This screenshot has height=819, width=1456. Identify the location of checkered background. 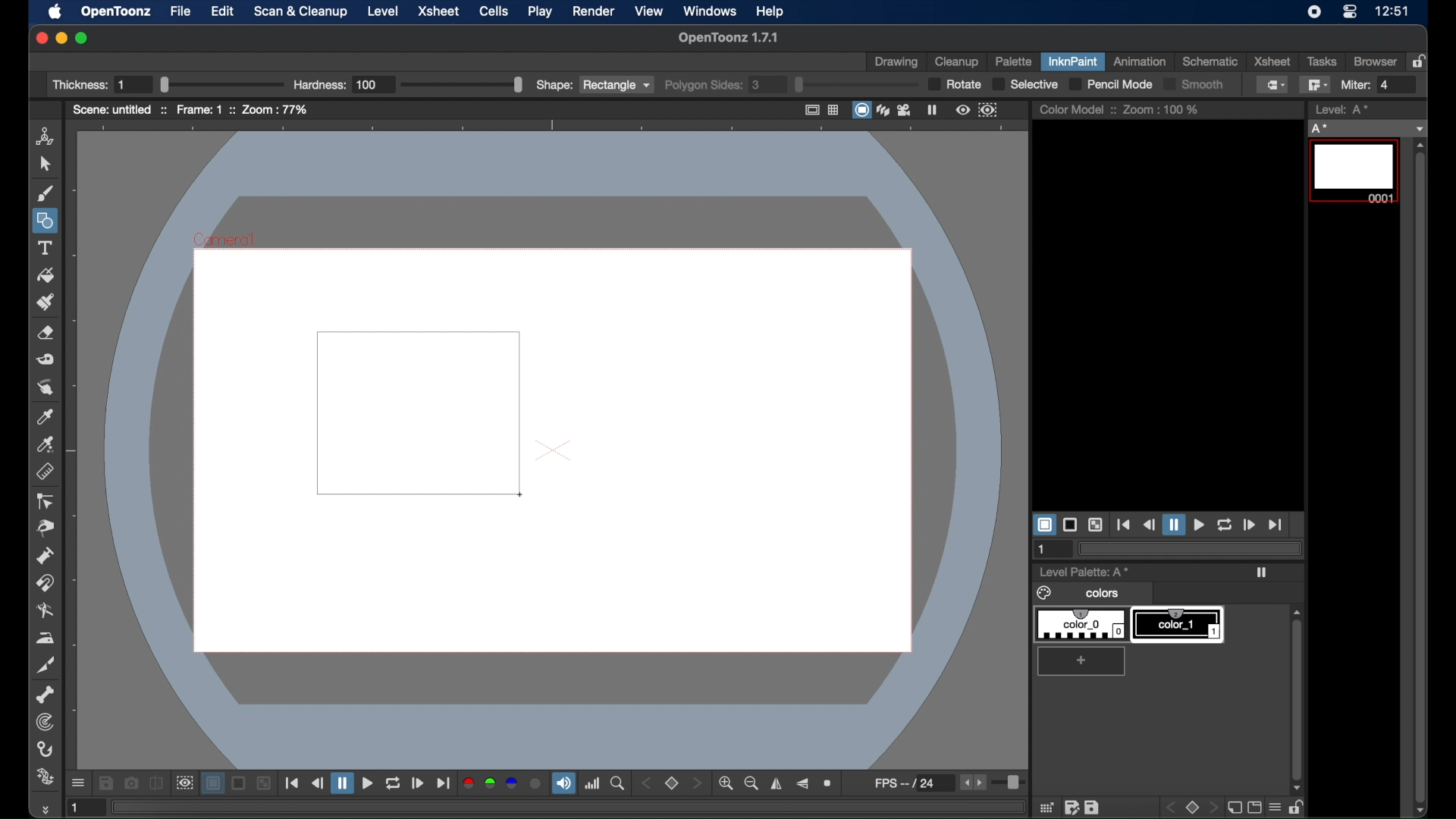
(1095, 526).